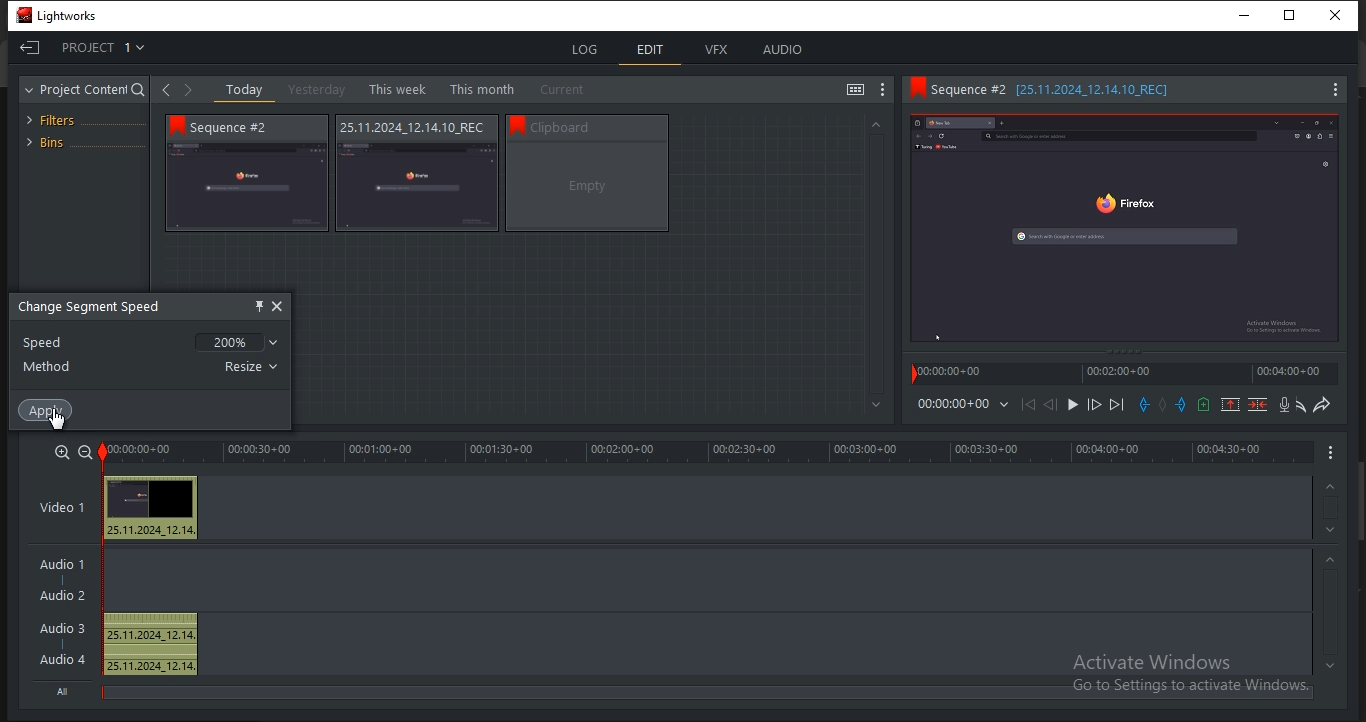  Describe the element at coordinates (1329, 89) in the screenshot. I see `Menu` at that location.